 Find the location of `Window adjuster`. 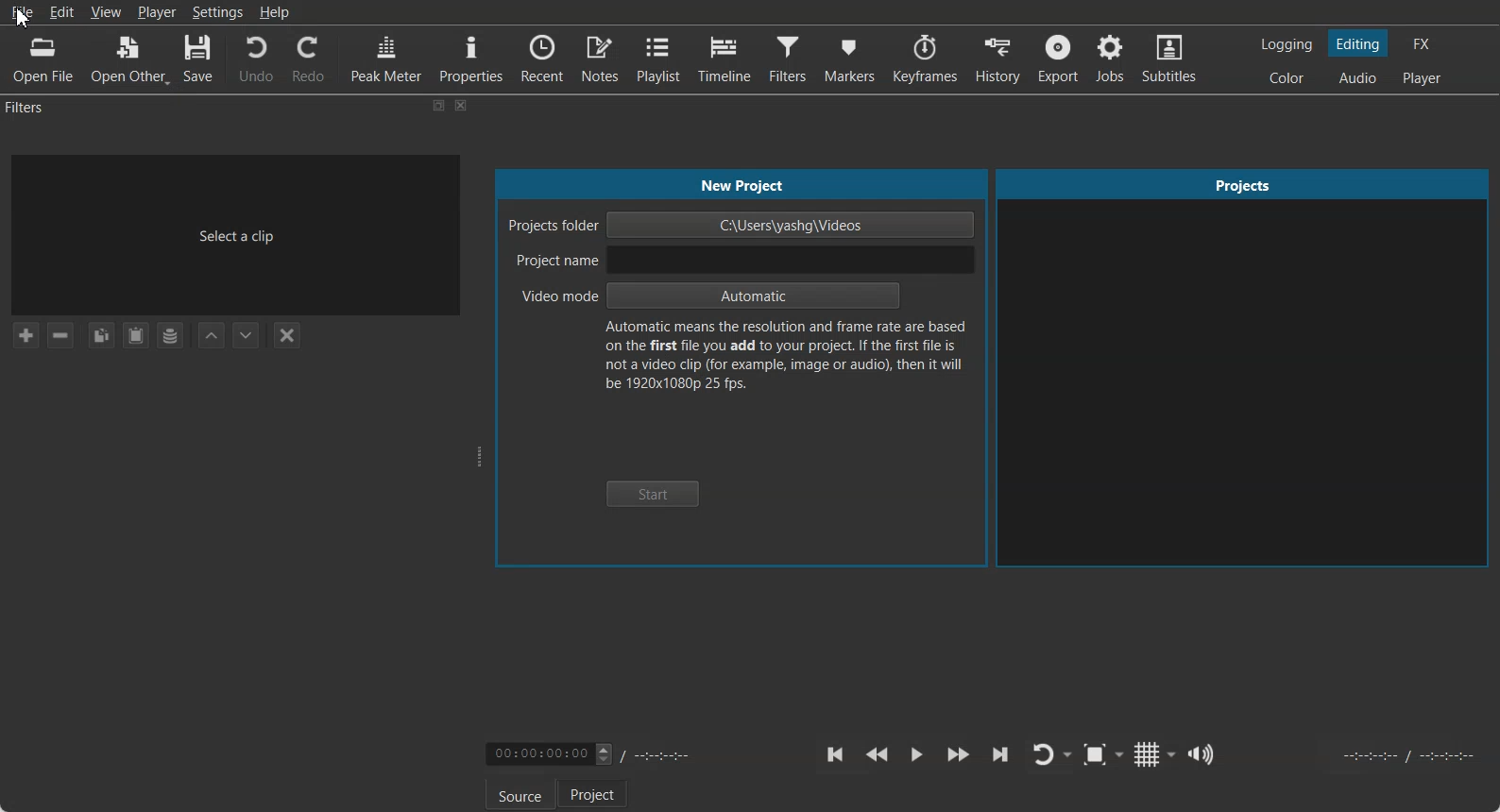

Window adjuster is located at coordinates (481, 457).